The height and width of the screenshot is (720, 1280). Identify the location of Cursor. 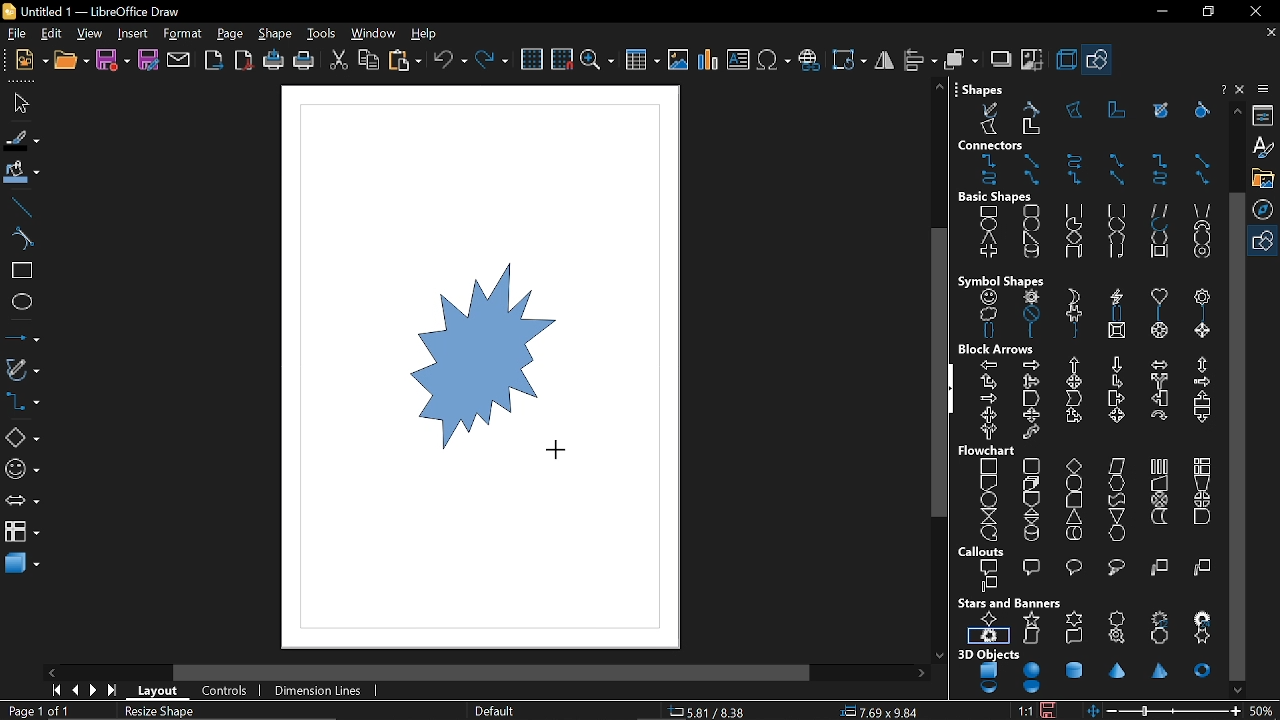
(560, 450).